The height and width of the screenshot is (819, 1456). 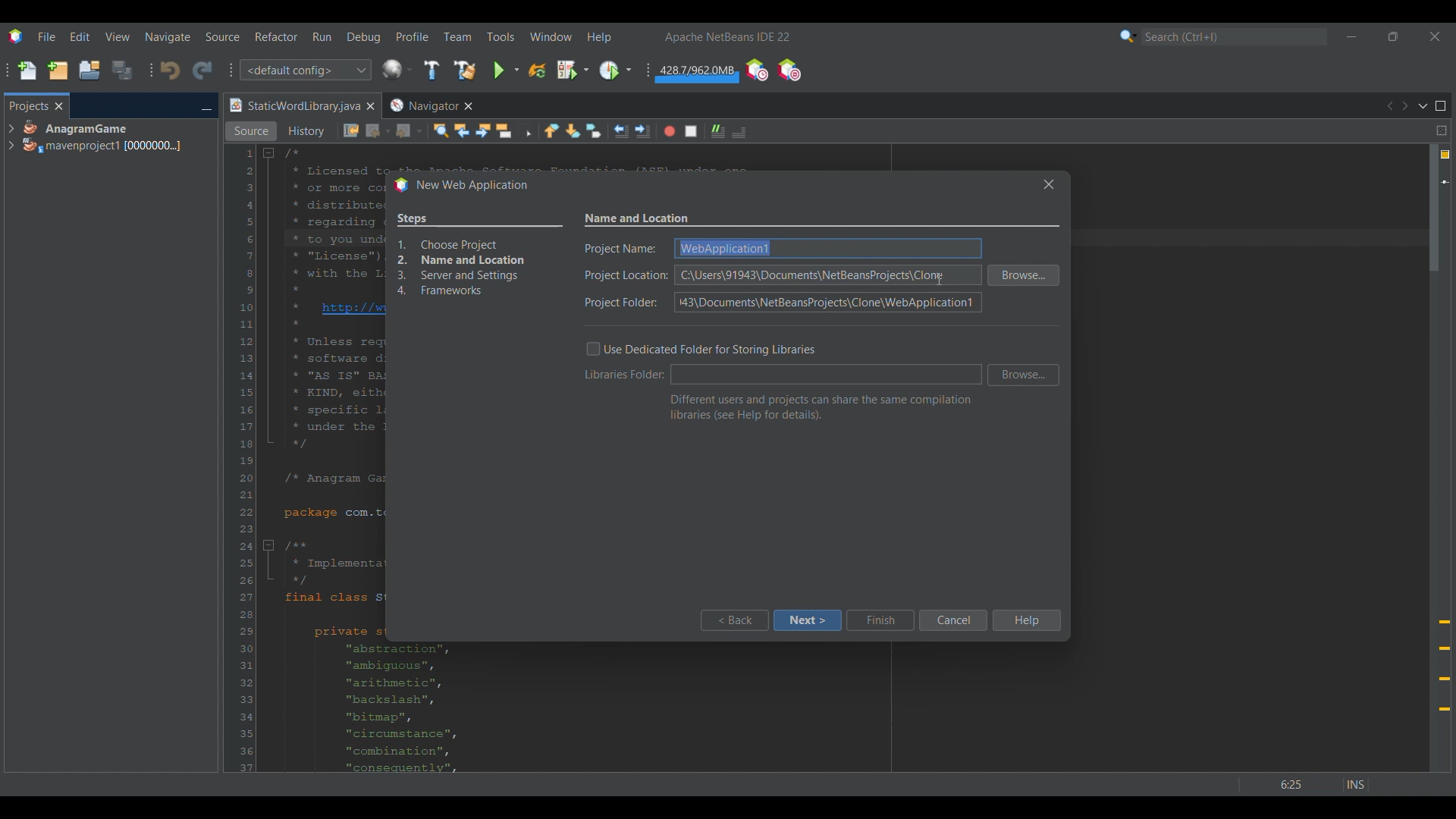 I want to click on Undo, so click(x=170, y=71).